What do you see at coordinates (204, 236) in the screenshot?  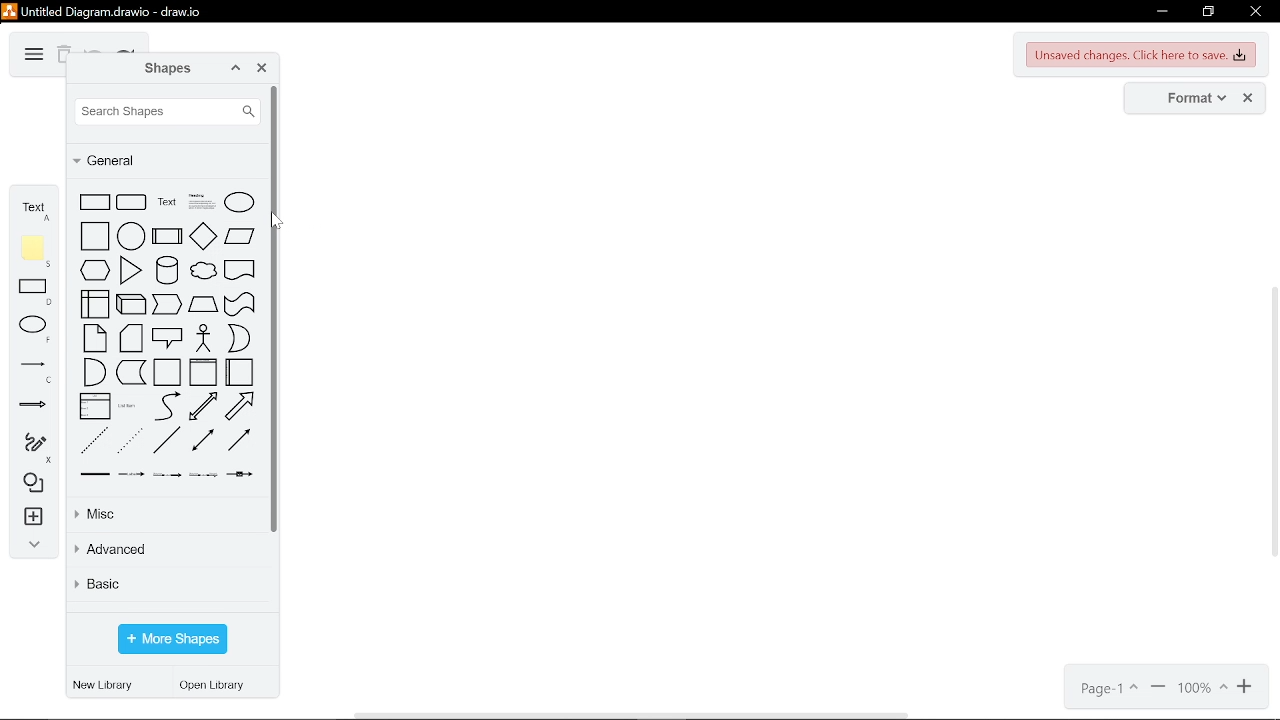 I see `diamond` at bounding box center [204, 236].